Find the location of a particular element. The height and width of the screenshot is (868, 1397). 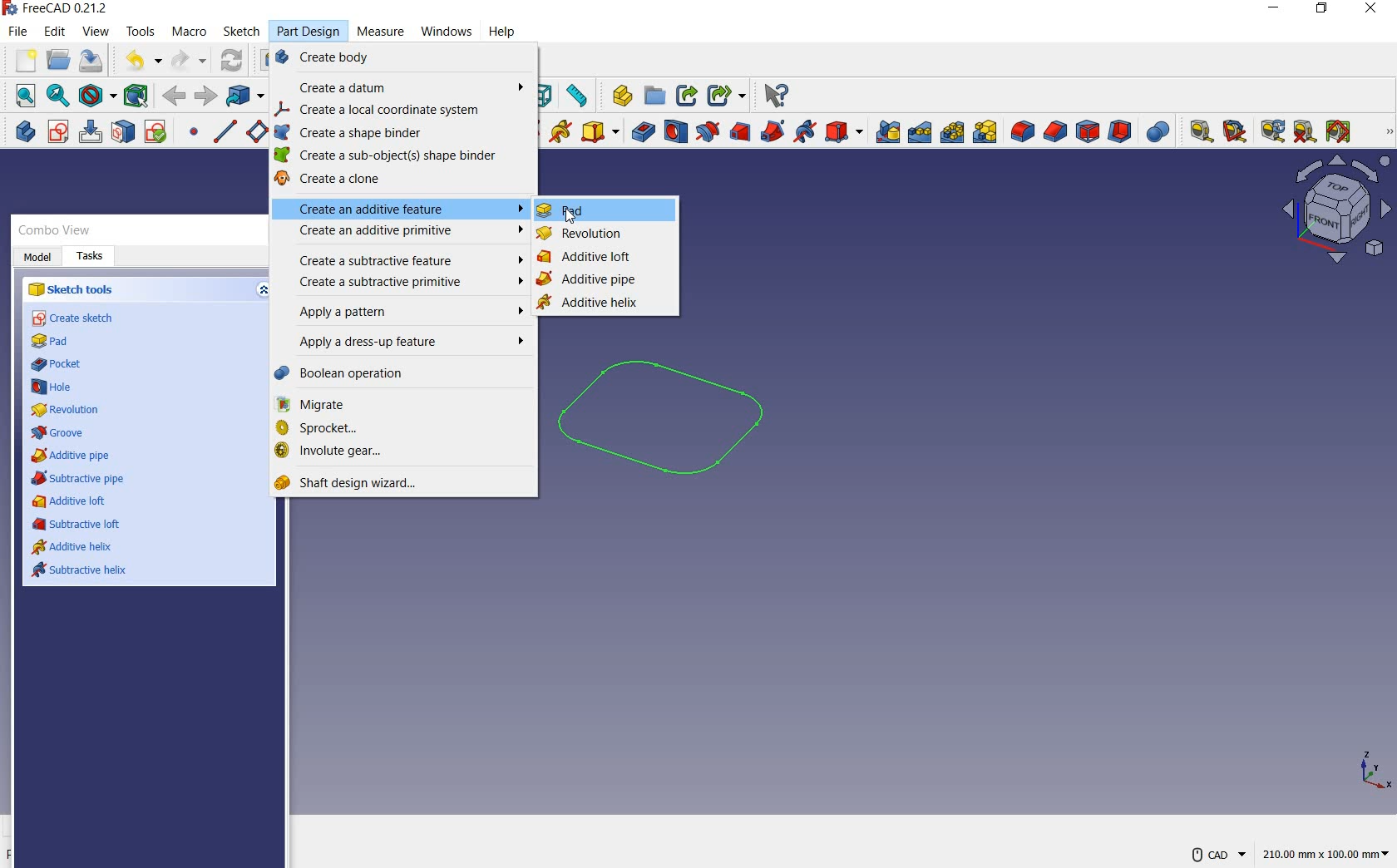

create a datum line is located at coordinates (225, 131).